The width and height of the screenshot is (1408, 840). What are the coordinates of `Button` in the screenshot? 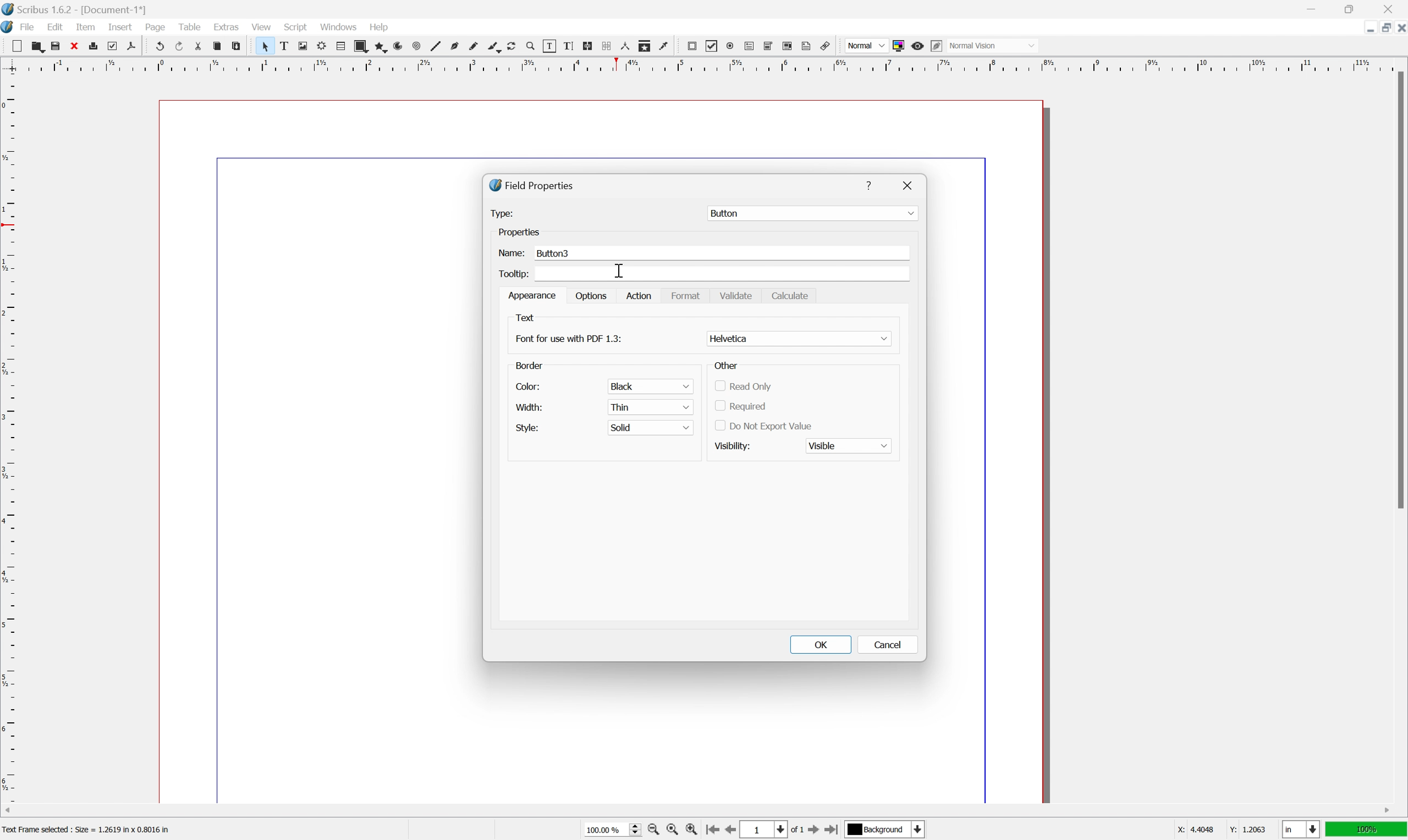 It's located at (811, 213).